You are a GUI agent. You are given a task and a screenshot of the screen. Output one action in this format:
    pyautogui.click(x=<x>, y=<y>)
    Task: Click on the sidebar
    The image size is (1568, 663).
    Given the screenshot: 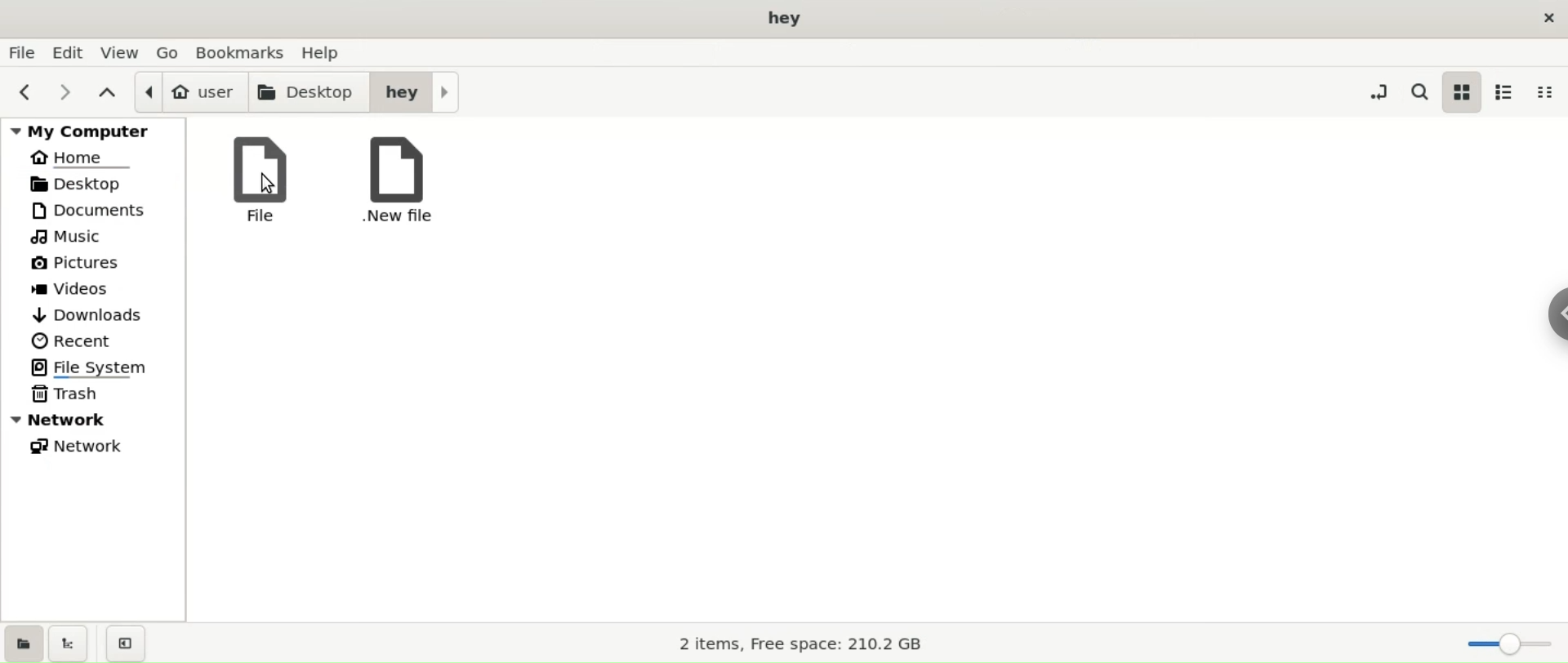 What is the action you would take?
    pyautogui.click(x=1543, y=309)
    